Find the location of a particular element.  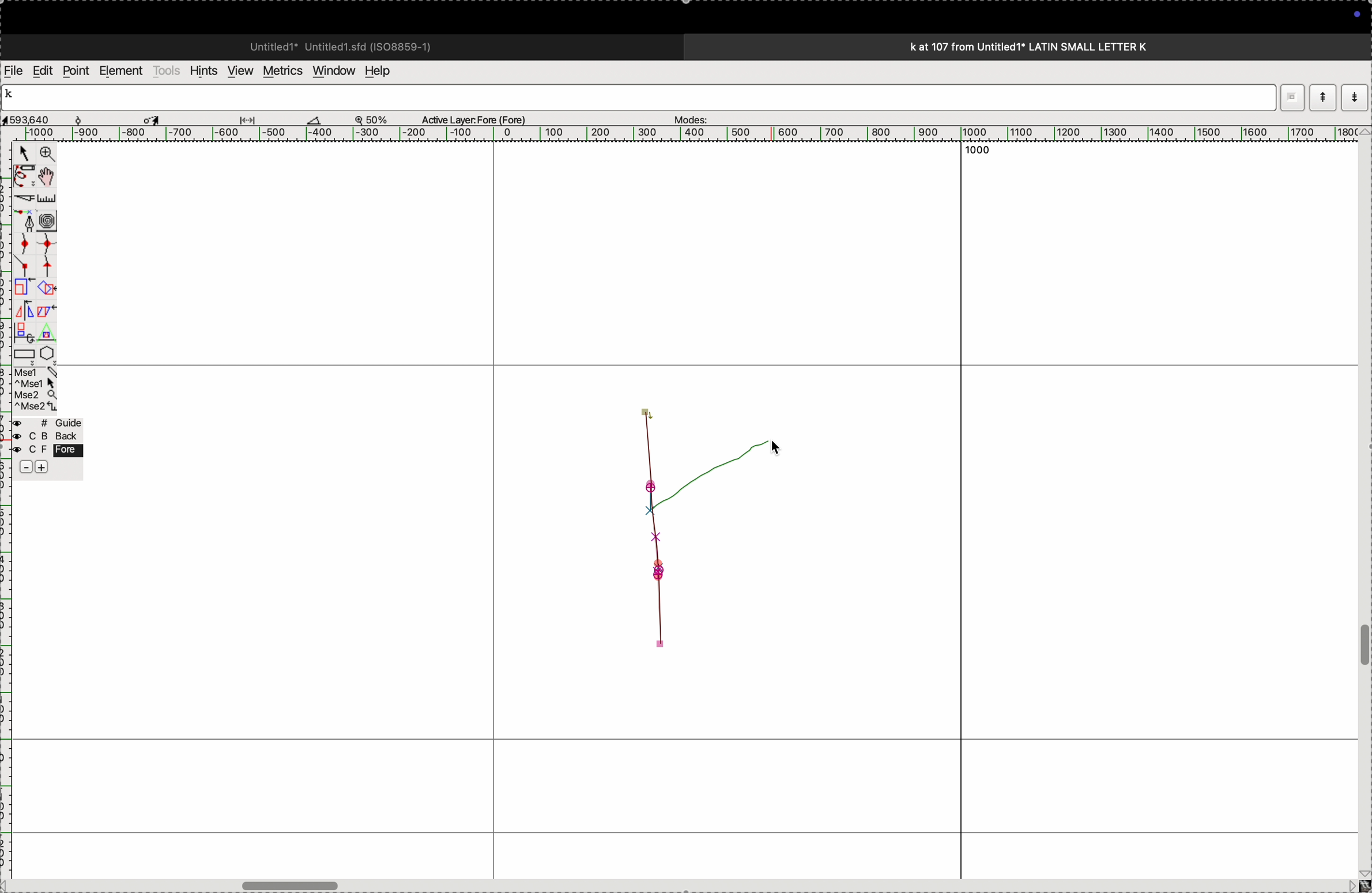

mirror is located at coordinates (24, 320).